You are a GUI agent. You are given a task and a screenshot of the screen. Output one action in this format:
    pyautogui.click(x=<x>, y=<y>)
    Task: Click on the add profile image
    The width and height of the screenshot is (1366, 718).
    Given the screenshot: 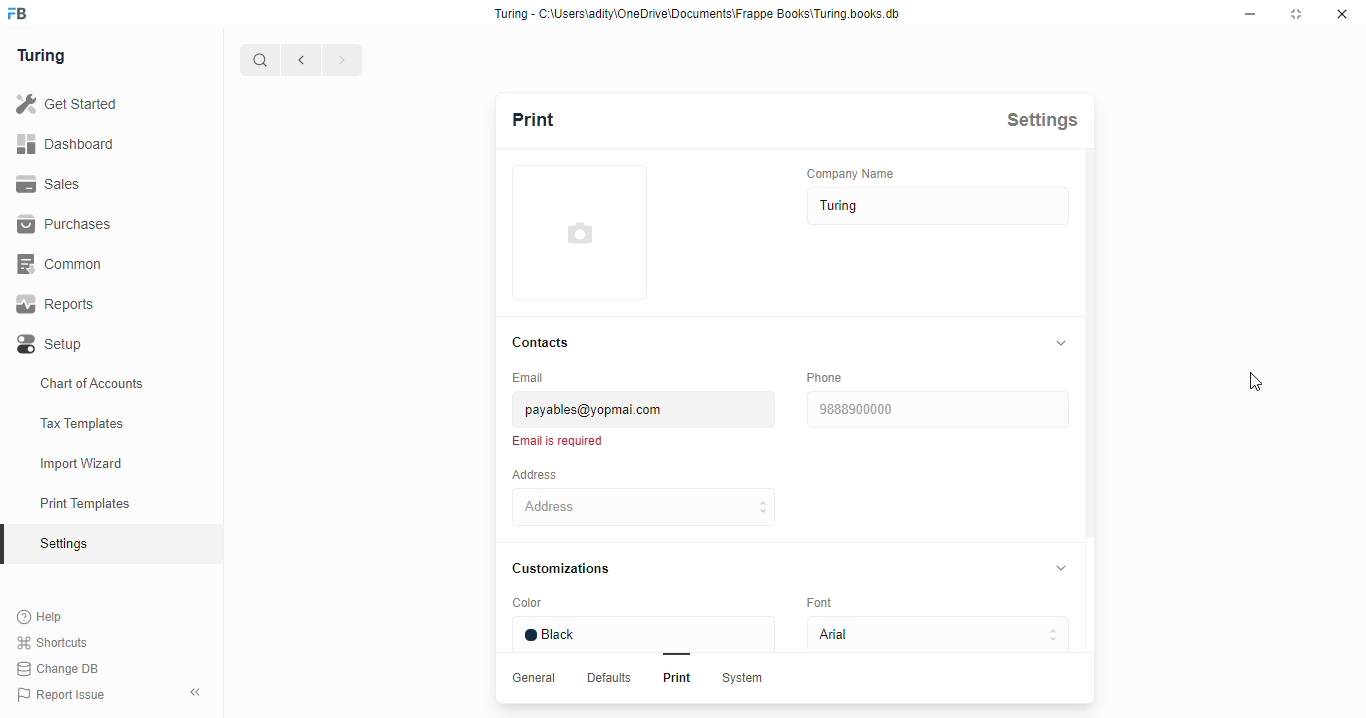 What is the action you would take?
    pyautogui.click(x=580, y=243)
    